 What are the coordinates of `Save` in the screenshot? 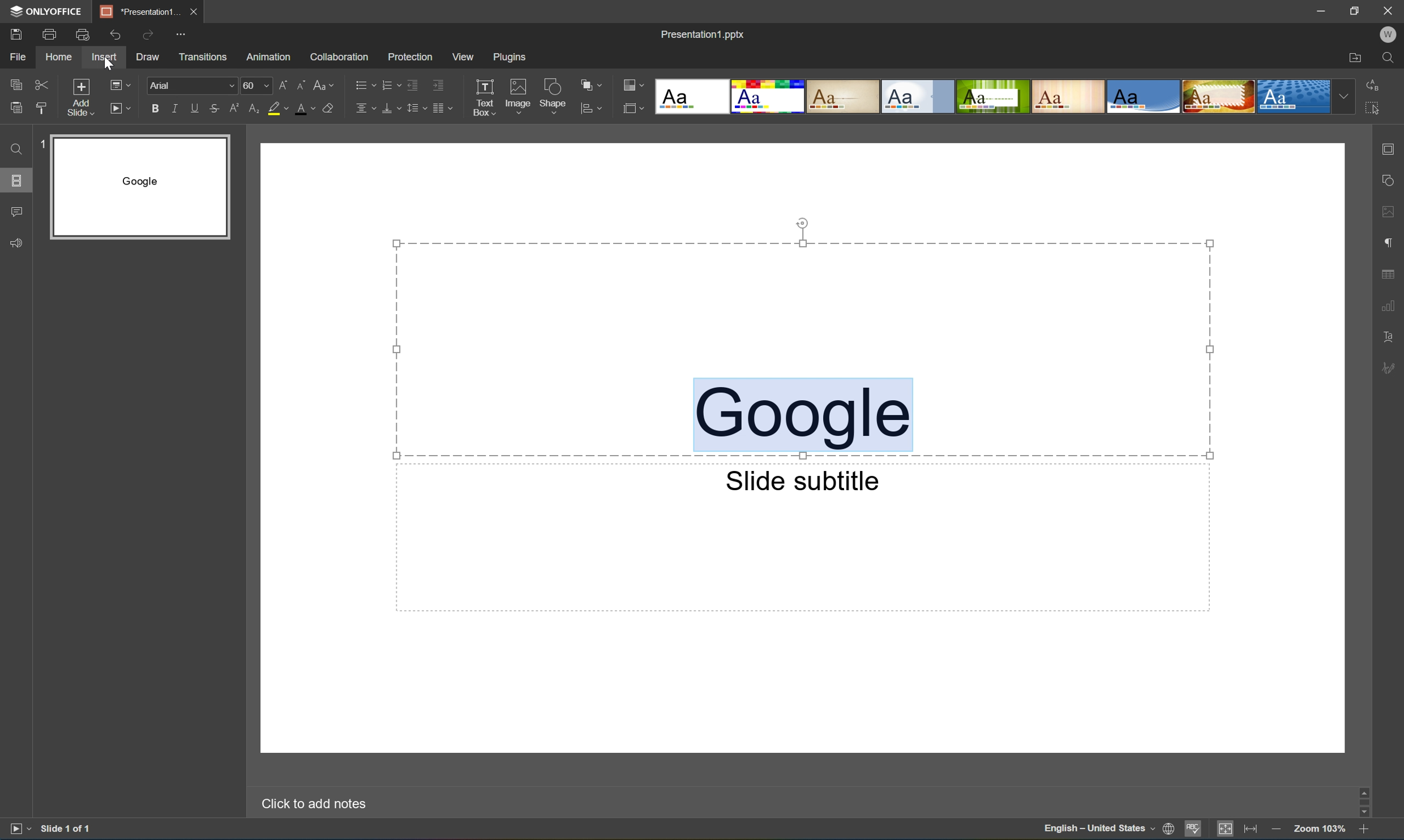 It's located at (15, 35).